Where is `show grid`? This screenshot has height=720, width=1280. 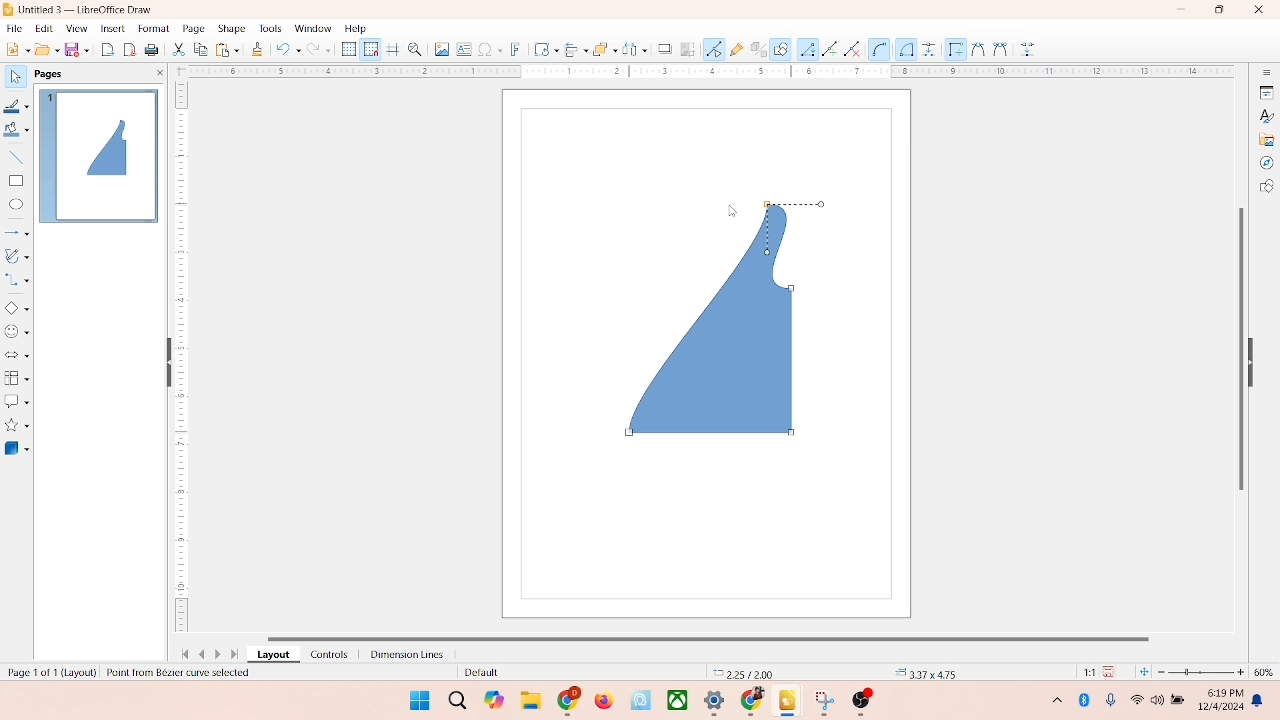 show grid is located at coordinates (348, 50).